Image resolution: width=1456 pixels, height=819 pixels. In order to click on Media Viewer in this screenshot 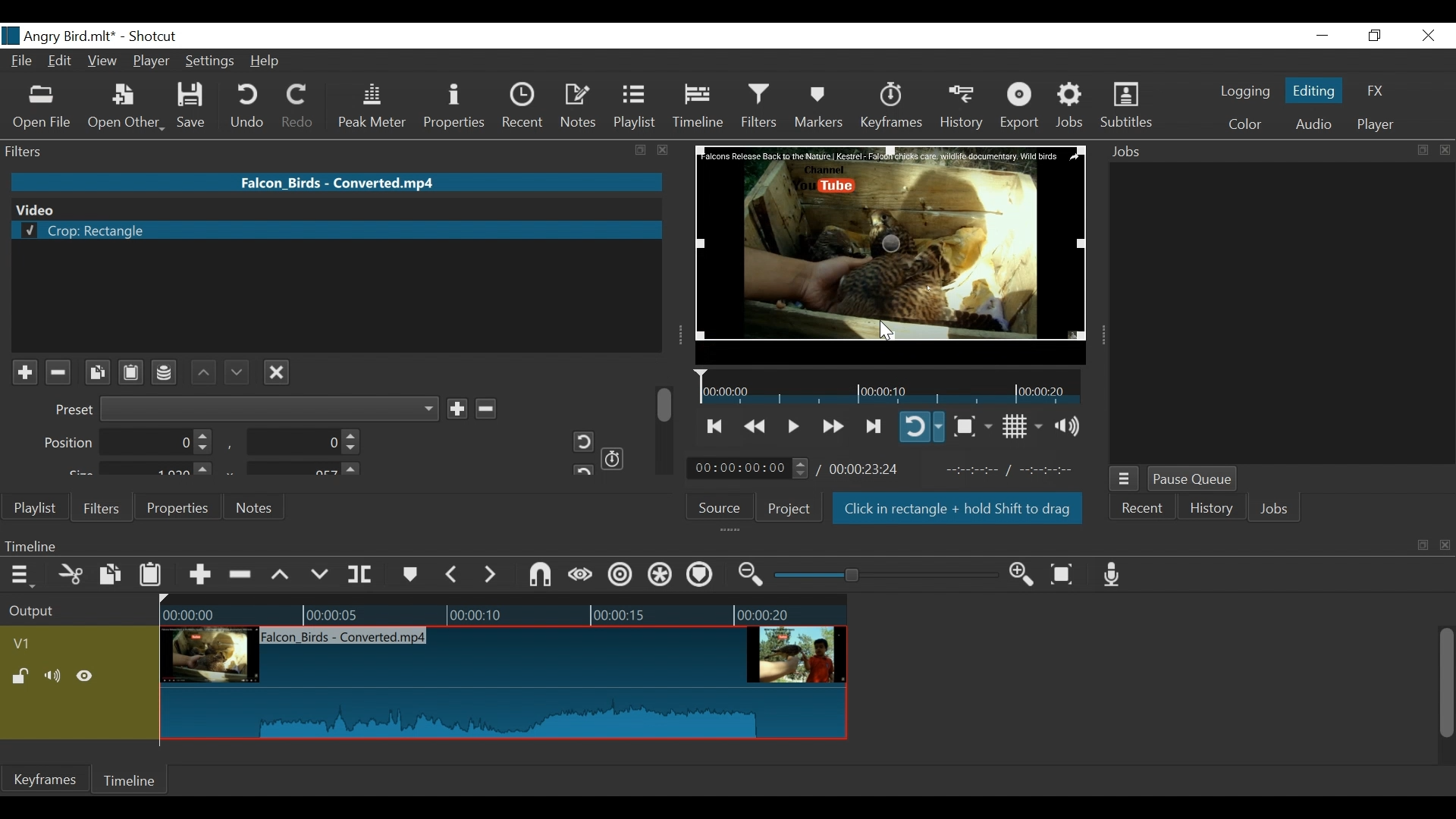, I will do `click(891, 254)`.